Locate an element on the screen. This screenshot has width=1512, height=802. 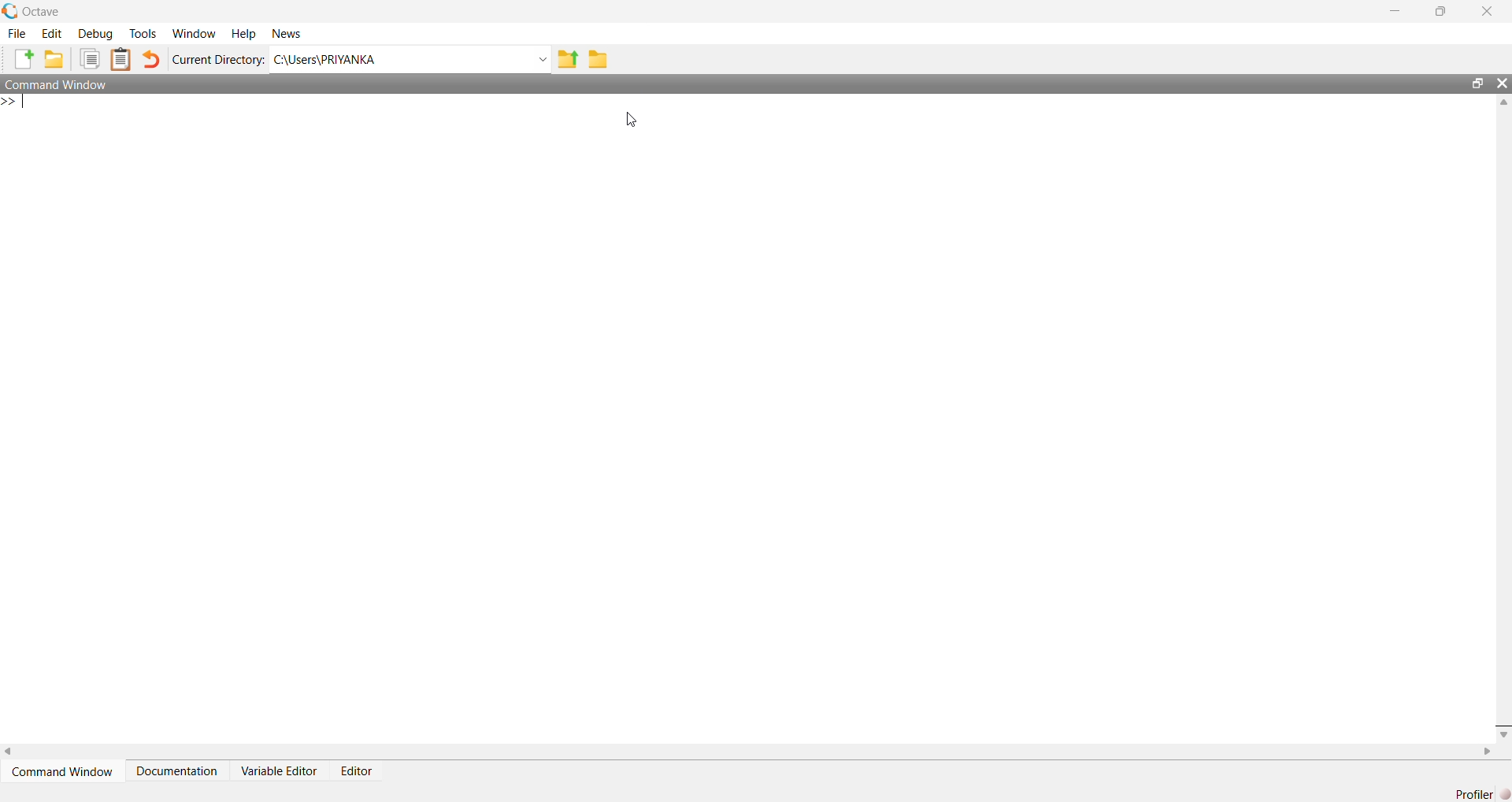
Clipboard is located at coordinates (121, 59).